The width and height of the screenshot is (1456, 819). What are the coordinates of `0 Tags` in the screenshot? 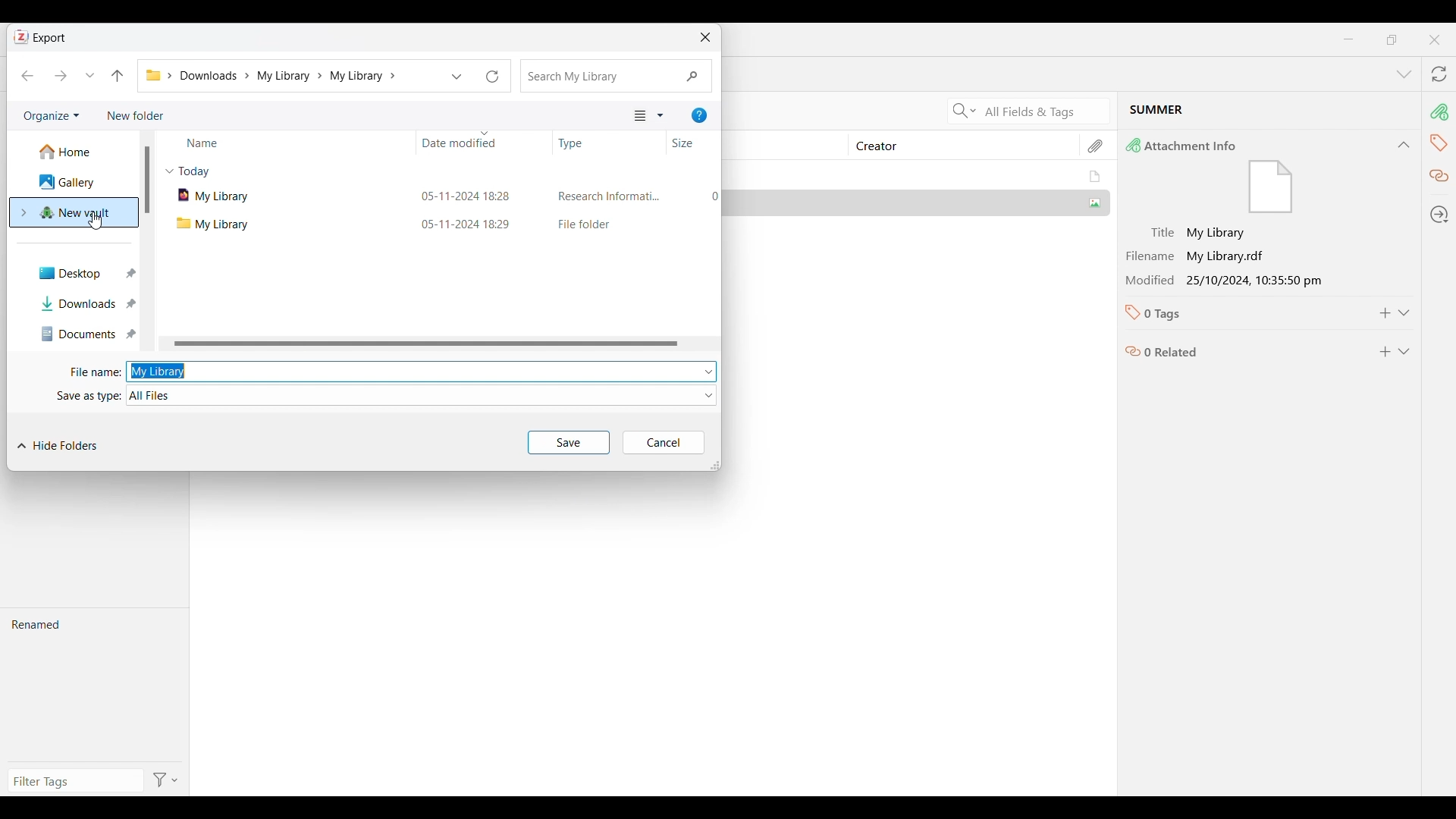 It's located at (1238, 313).